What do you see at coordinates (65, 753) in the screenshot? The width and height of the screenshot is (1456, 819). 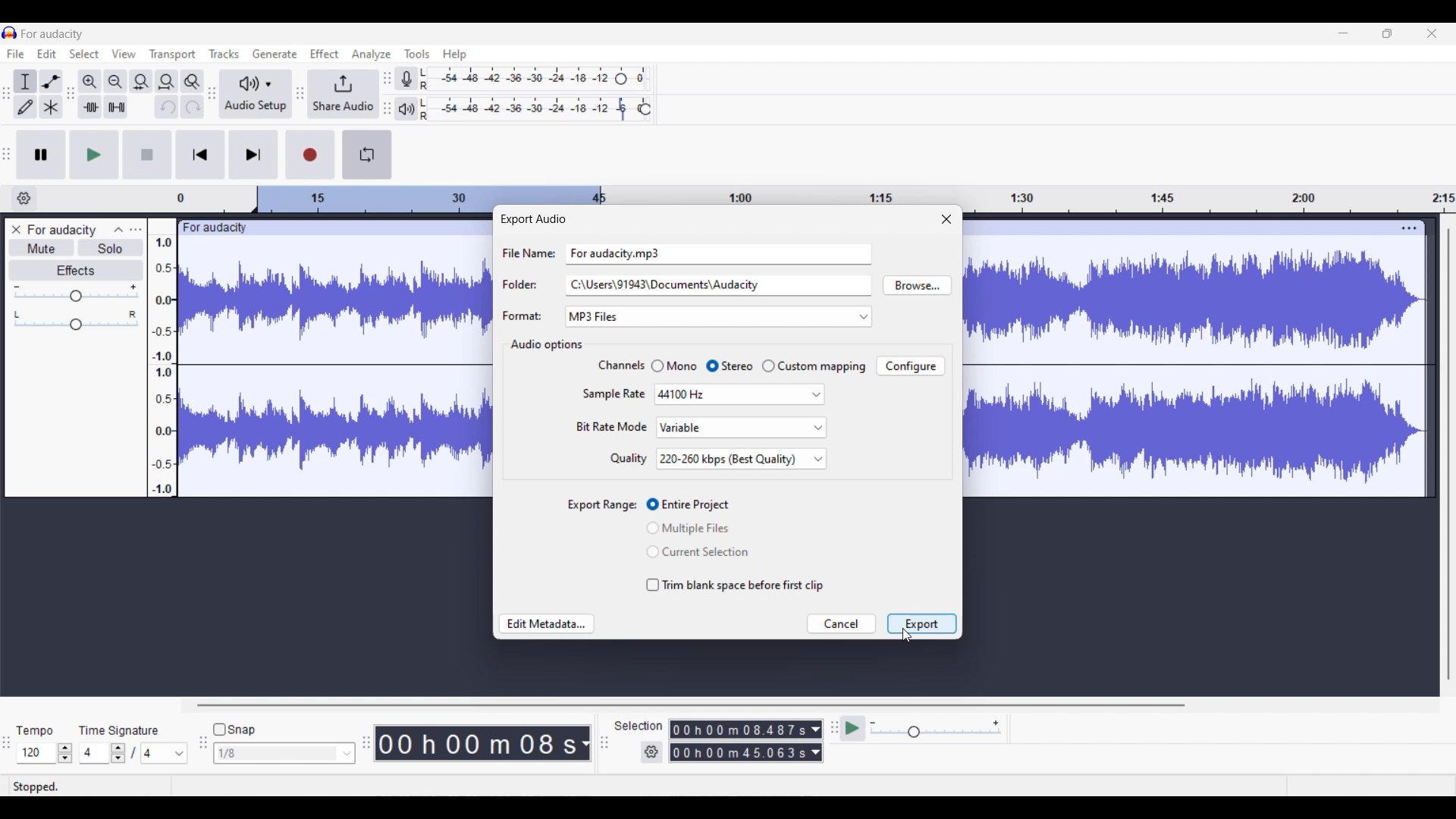 I see `Increase/Decrease tempo` at bounding box center [65, 753].